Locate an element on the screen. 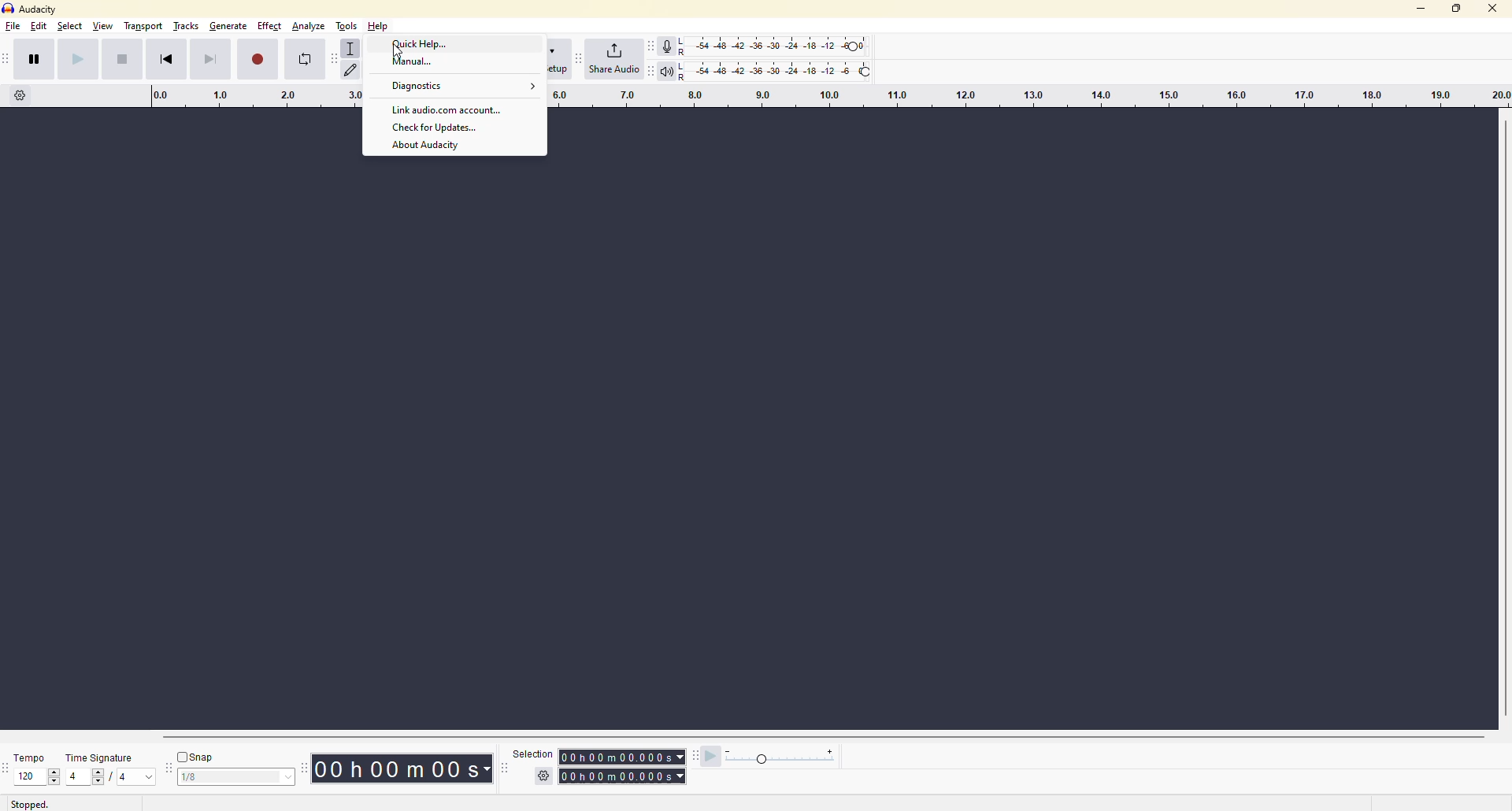 This screenshot has height=811, width=1512. timeline options is located at coordinates (24, 96).